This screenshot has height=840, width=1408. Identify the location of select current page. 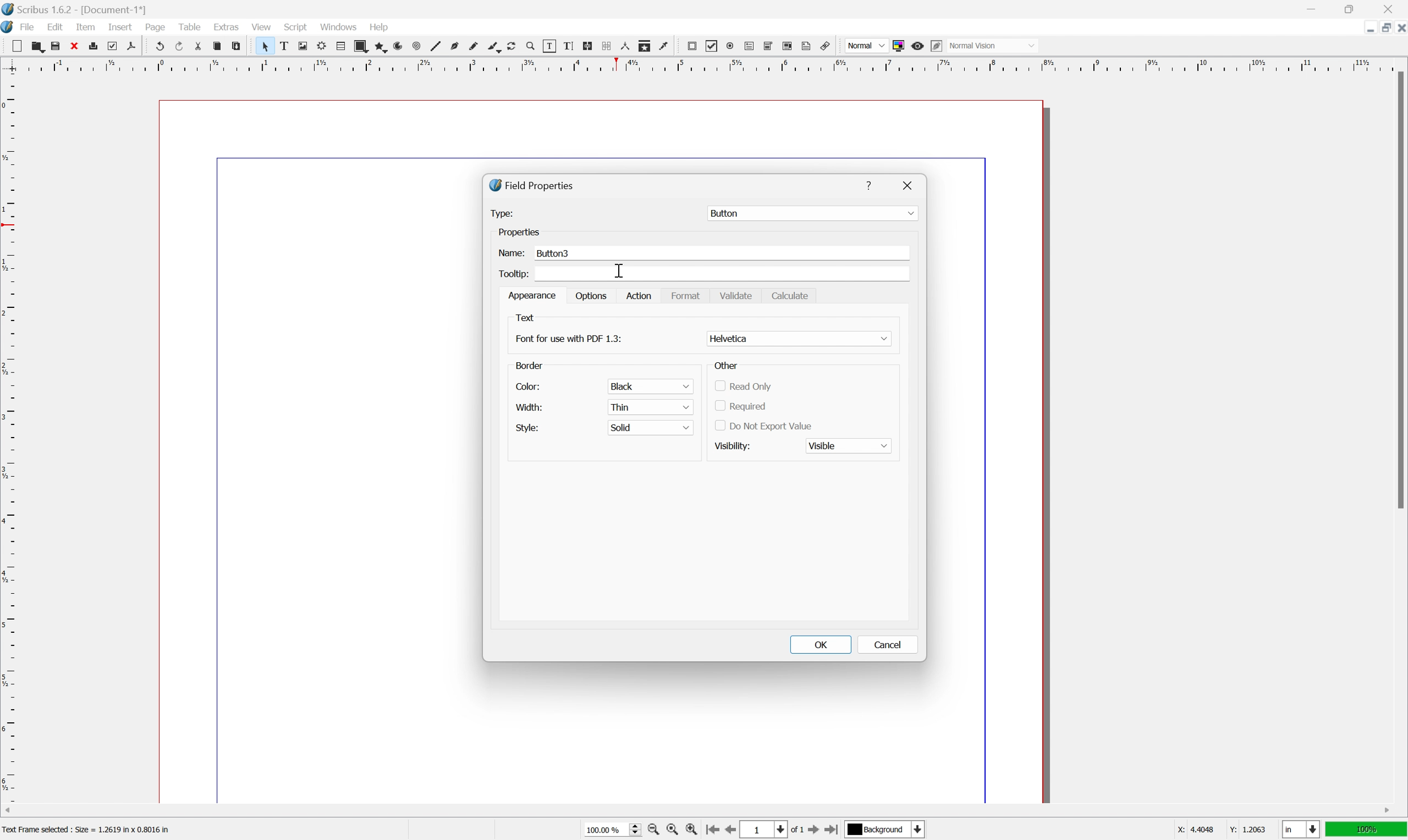
(772, 831).